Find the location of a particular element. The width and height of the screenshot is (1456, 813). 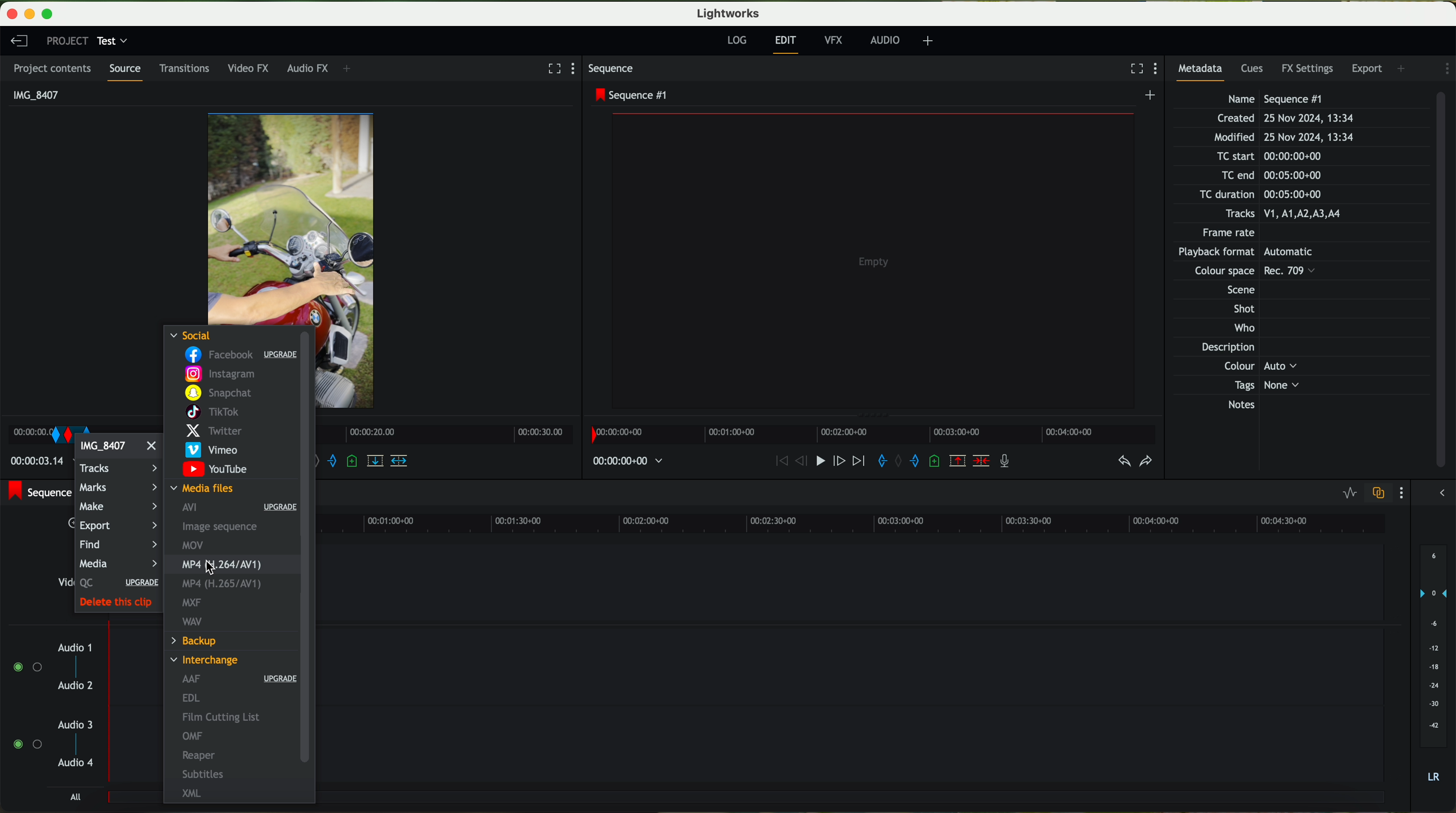

audio FX is located at coordinates (306, 68).